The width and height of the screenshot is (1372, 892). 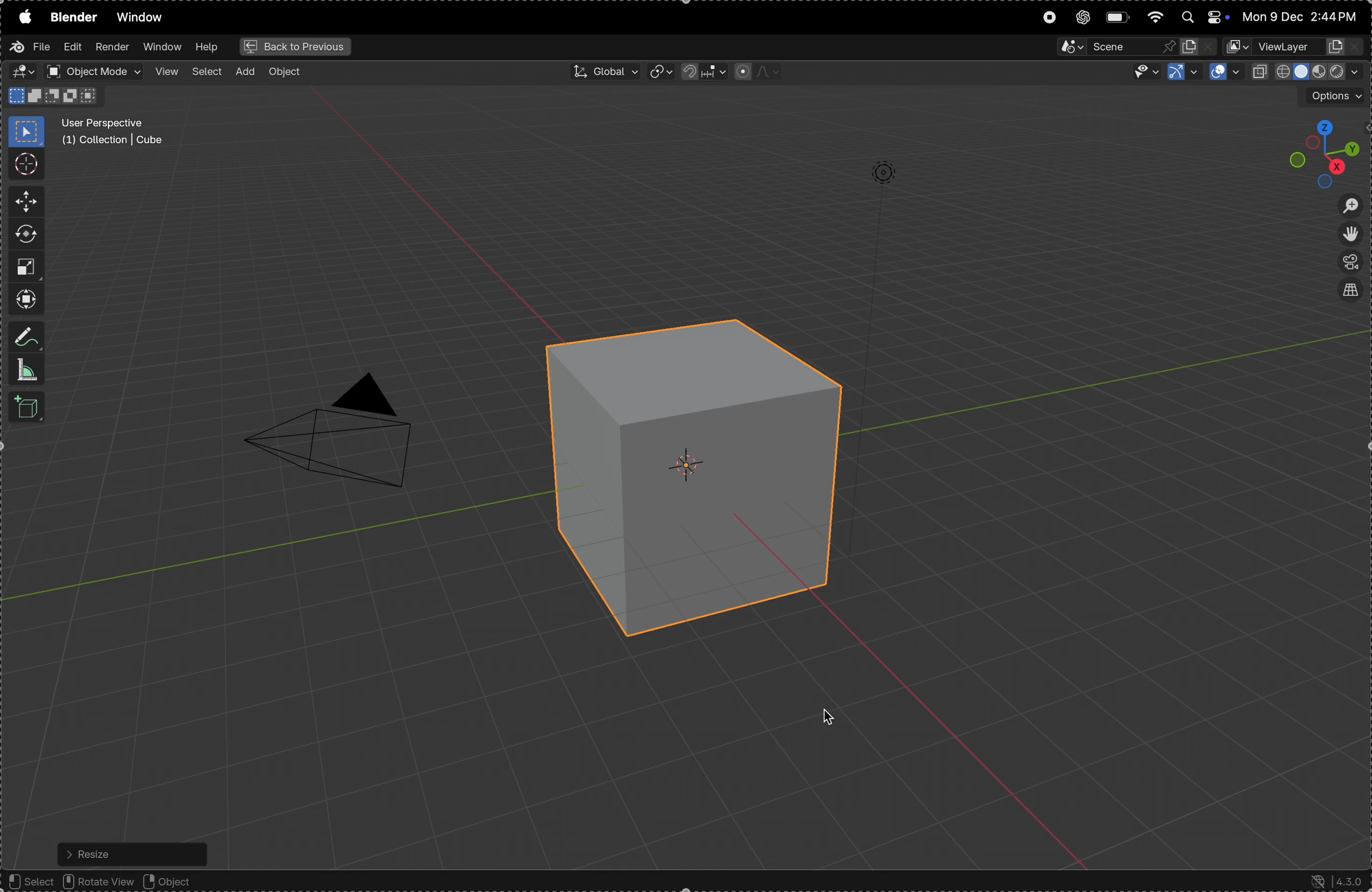 What do you see at coordinates (72, 20) in the screenshot?
I see `blender` at bounding box center [72, 20].